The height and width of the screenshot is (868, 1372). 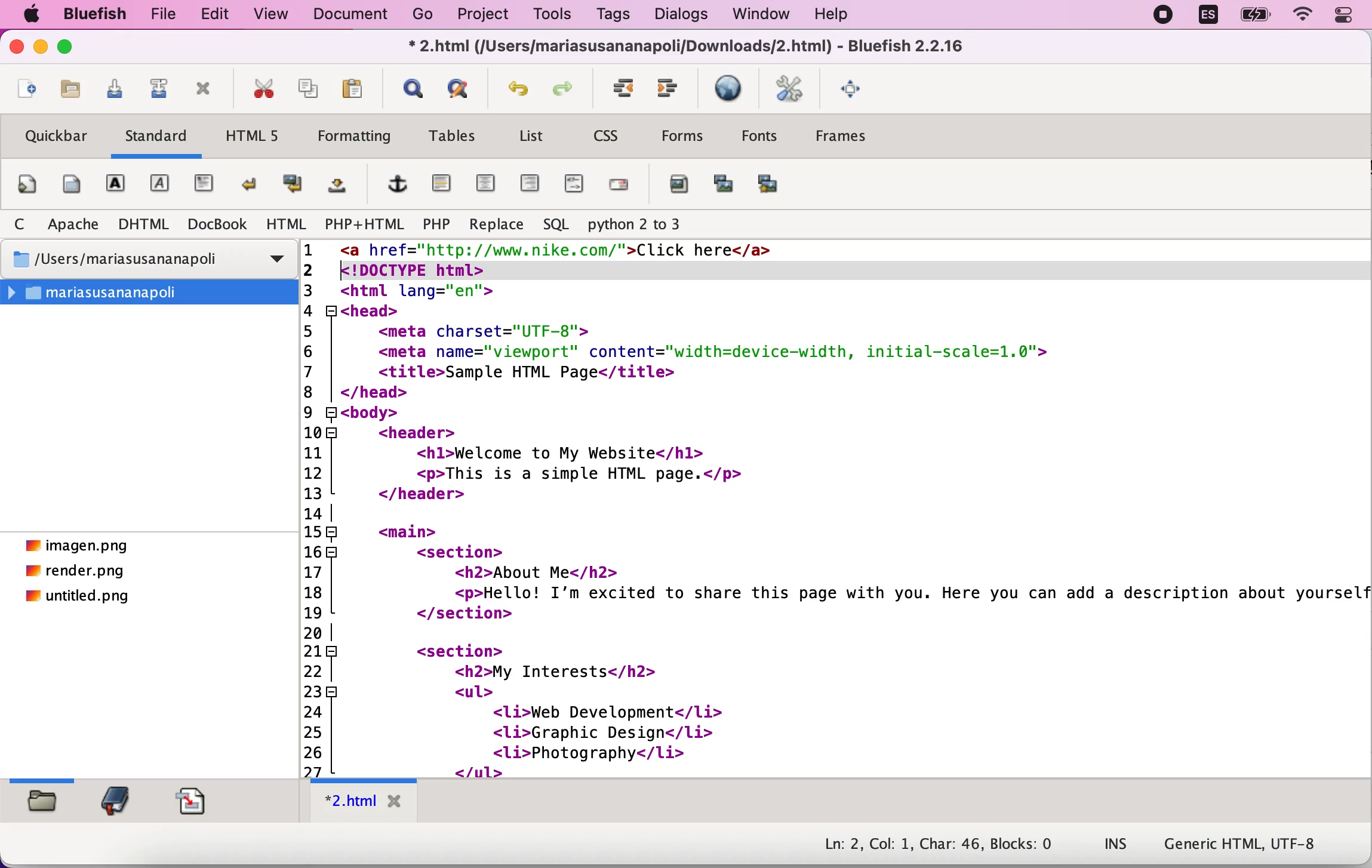 What do you see at coordinates (568, 89) in the screenshot?
I see `redo` at bounding box center [568, 89].